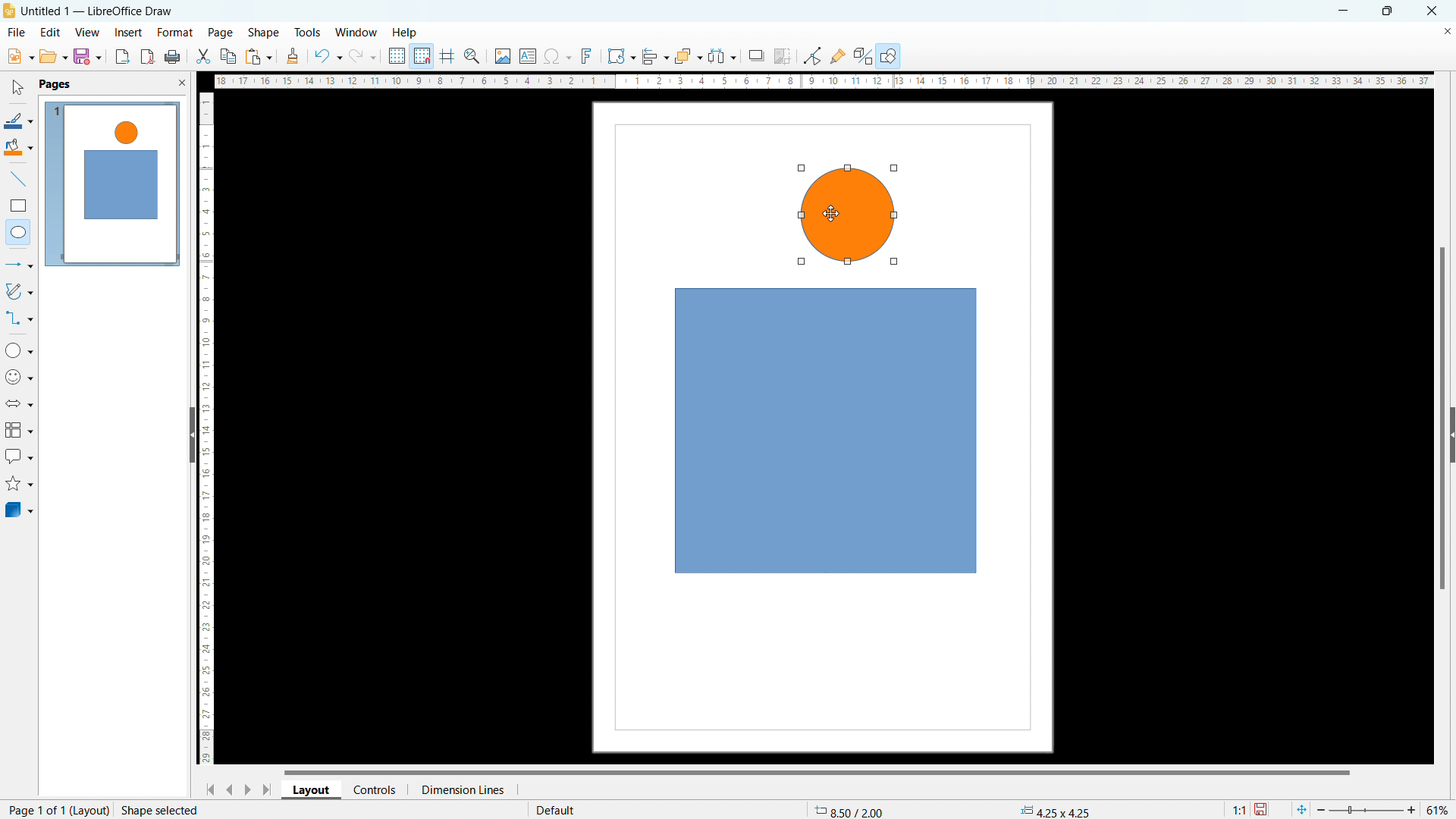 This screenshot has height=819, width=1456. I want to click on snap to grid, so click(422, 55).